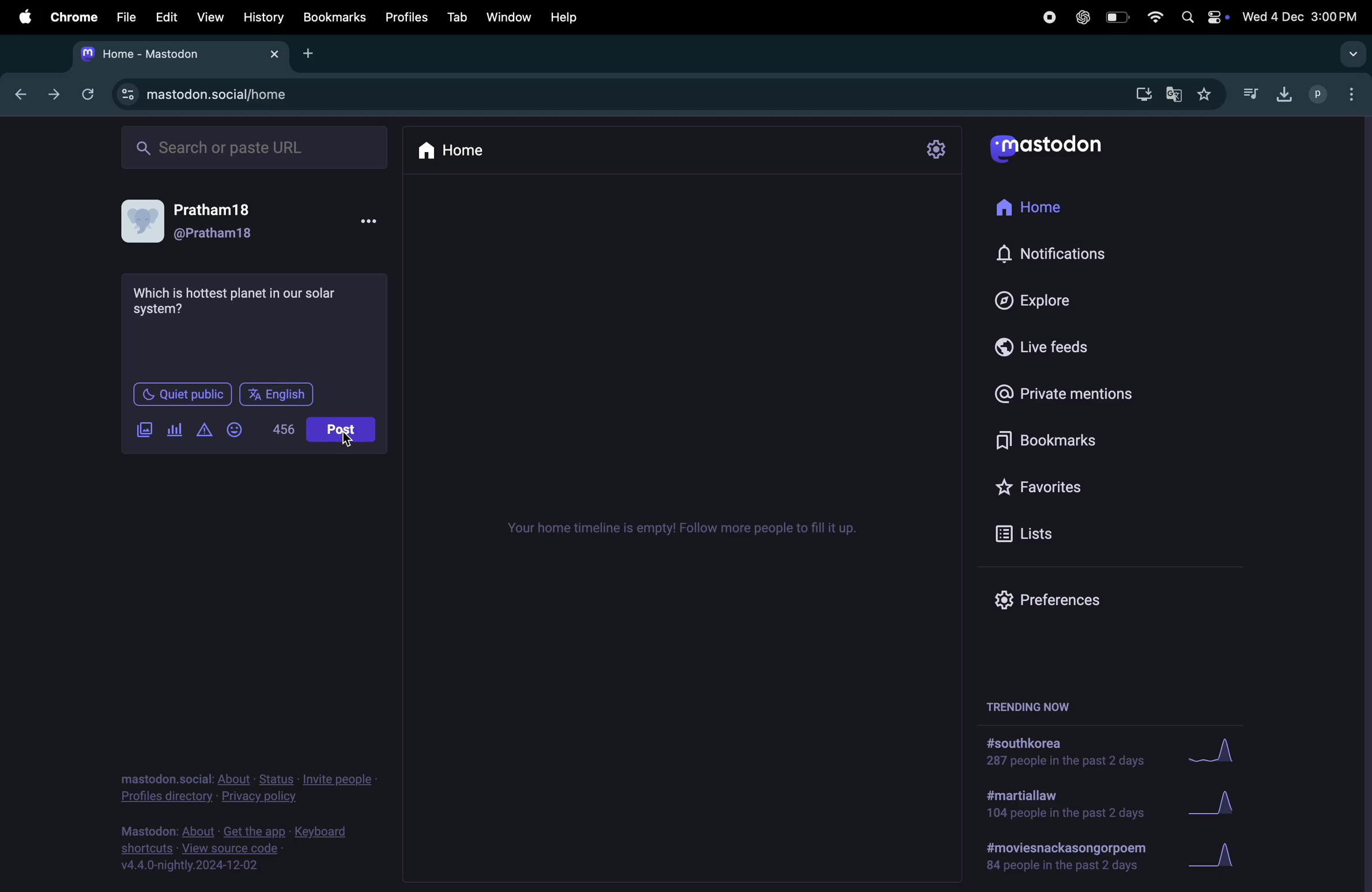 The width and height of the screenshot is (1372, 892). I want to click on view, so click(209, 19).